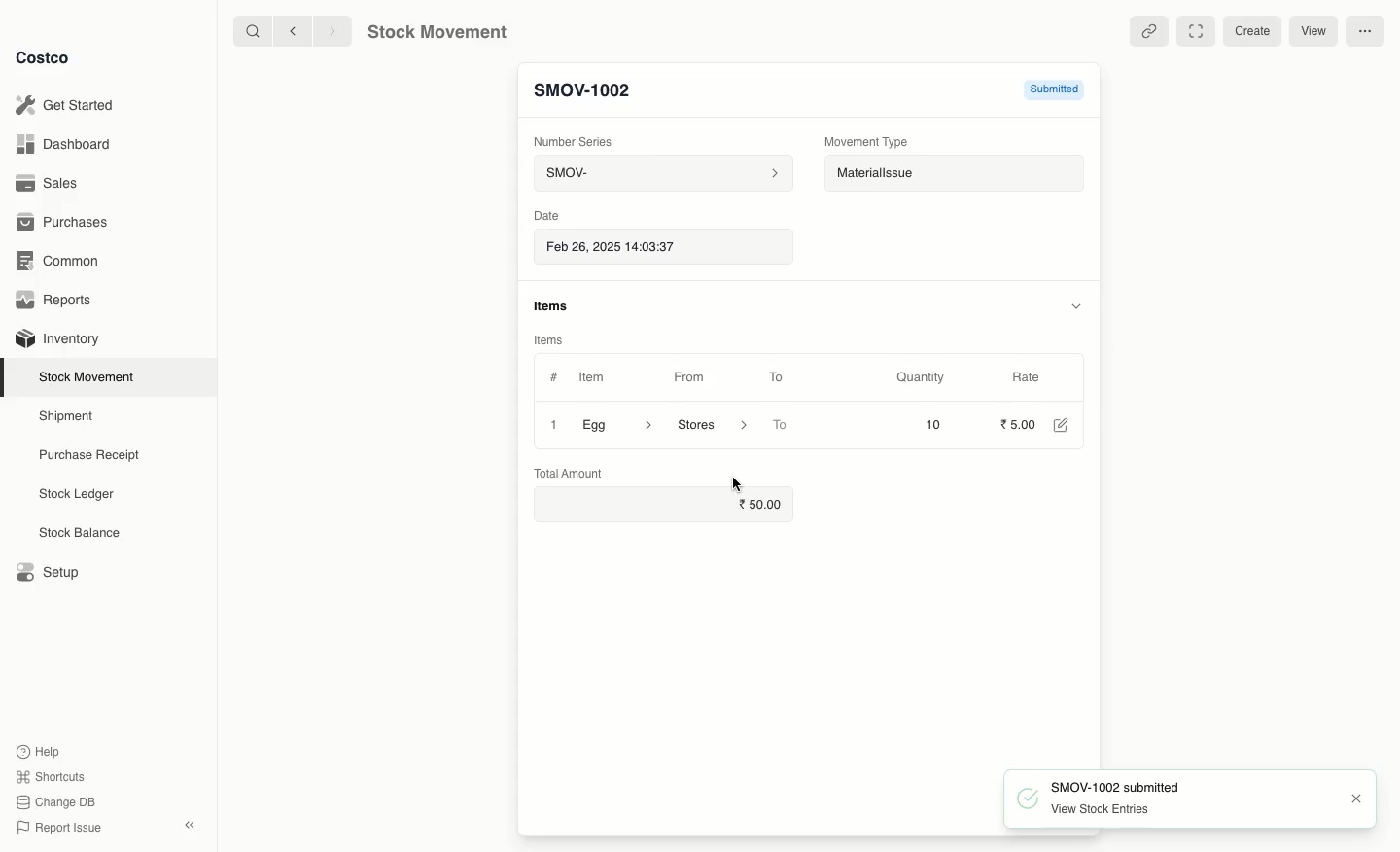  I want to click on To, so click(782, 426).